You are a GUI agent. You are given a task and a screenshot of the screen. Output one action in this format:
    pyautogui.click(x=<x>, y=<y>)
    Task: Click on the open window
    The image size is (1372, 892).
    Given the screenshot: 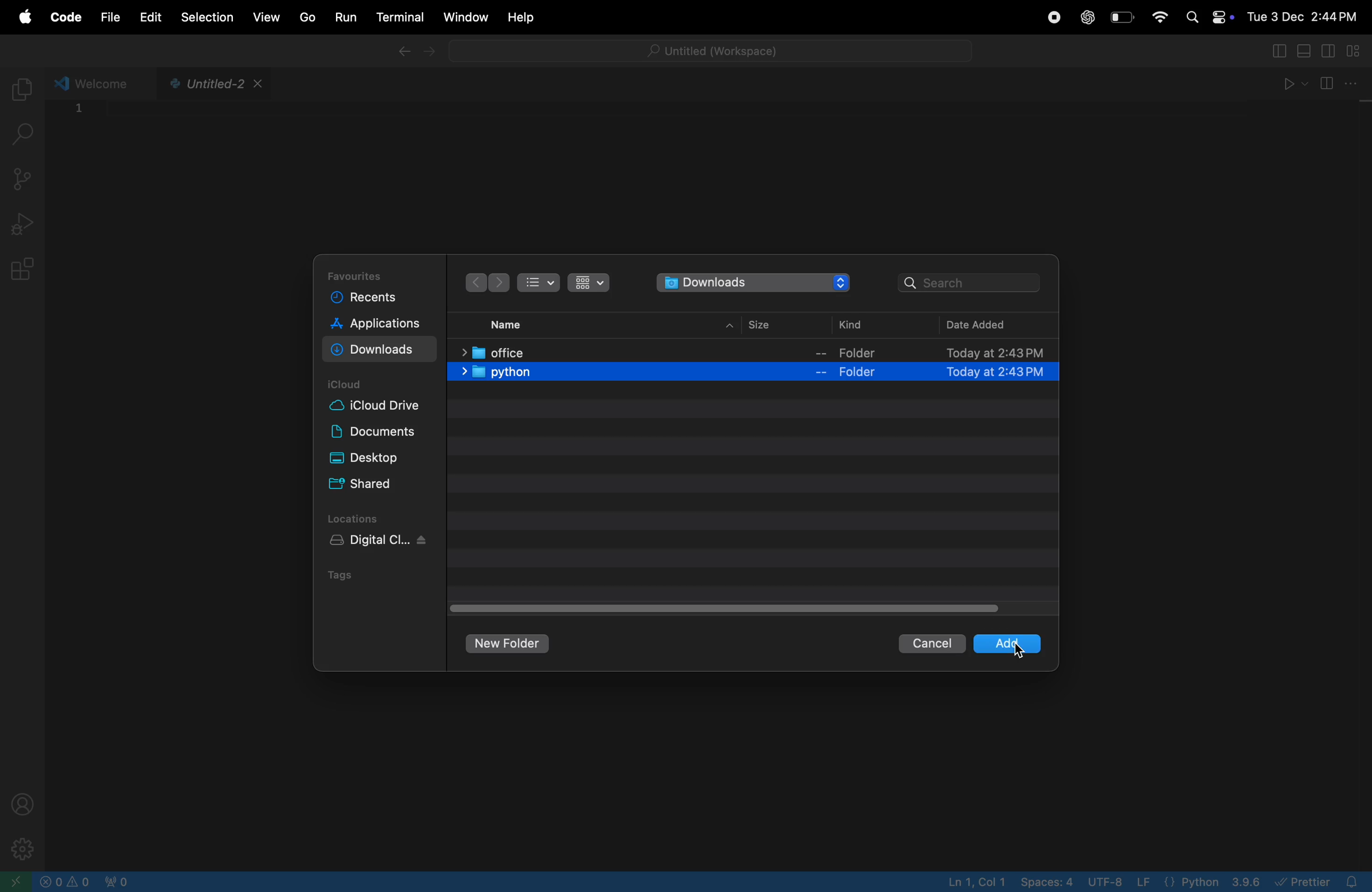 What is the action you would take?
    pyautogui.click(x=14, y=882)
    